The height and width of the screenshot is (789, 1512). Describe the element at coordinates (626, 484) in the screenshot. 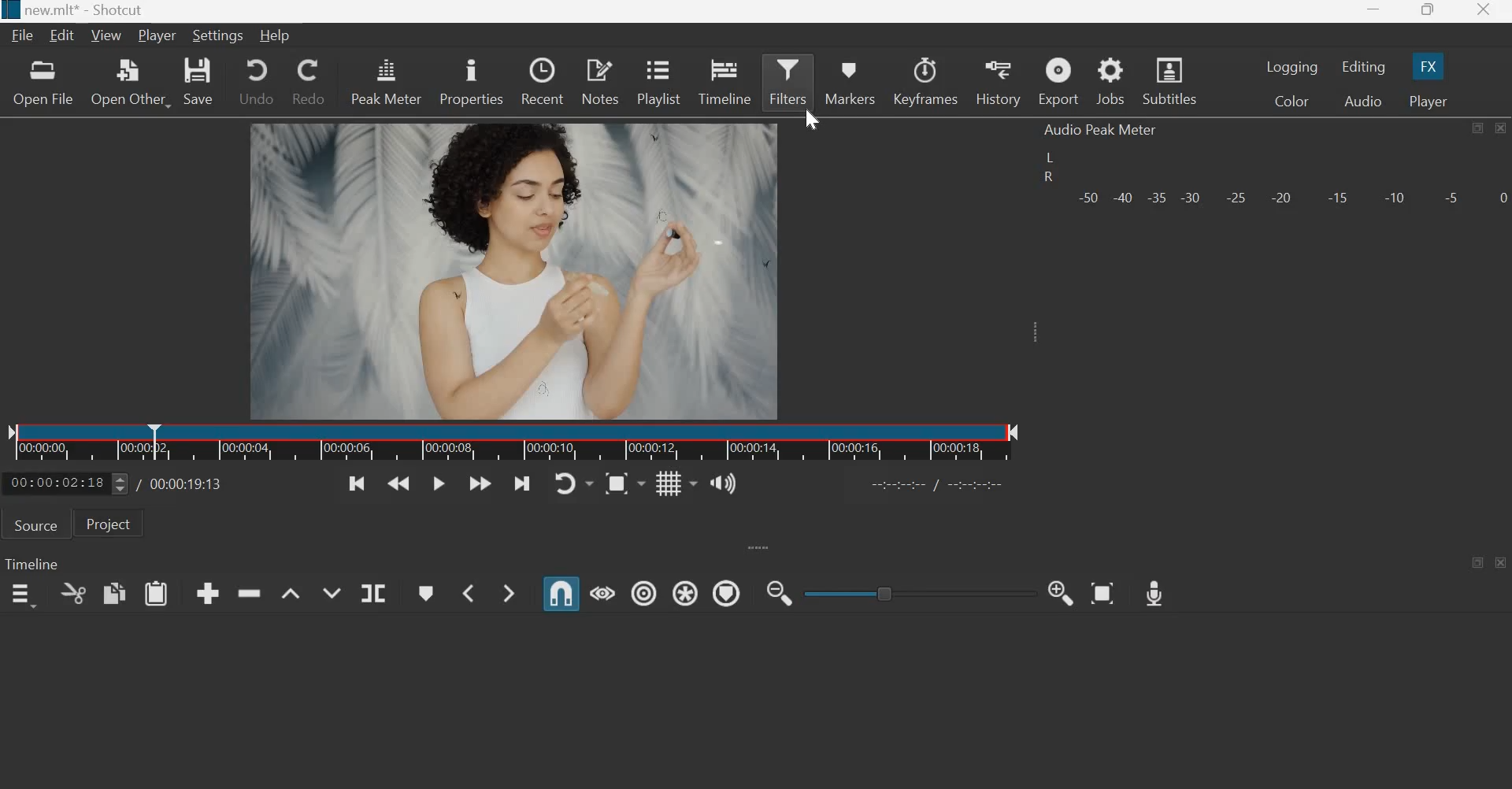

I see `Toggle zoom` at that location.